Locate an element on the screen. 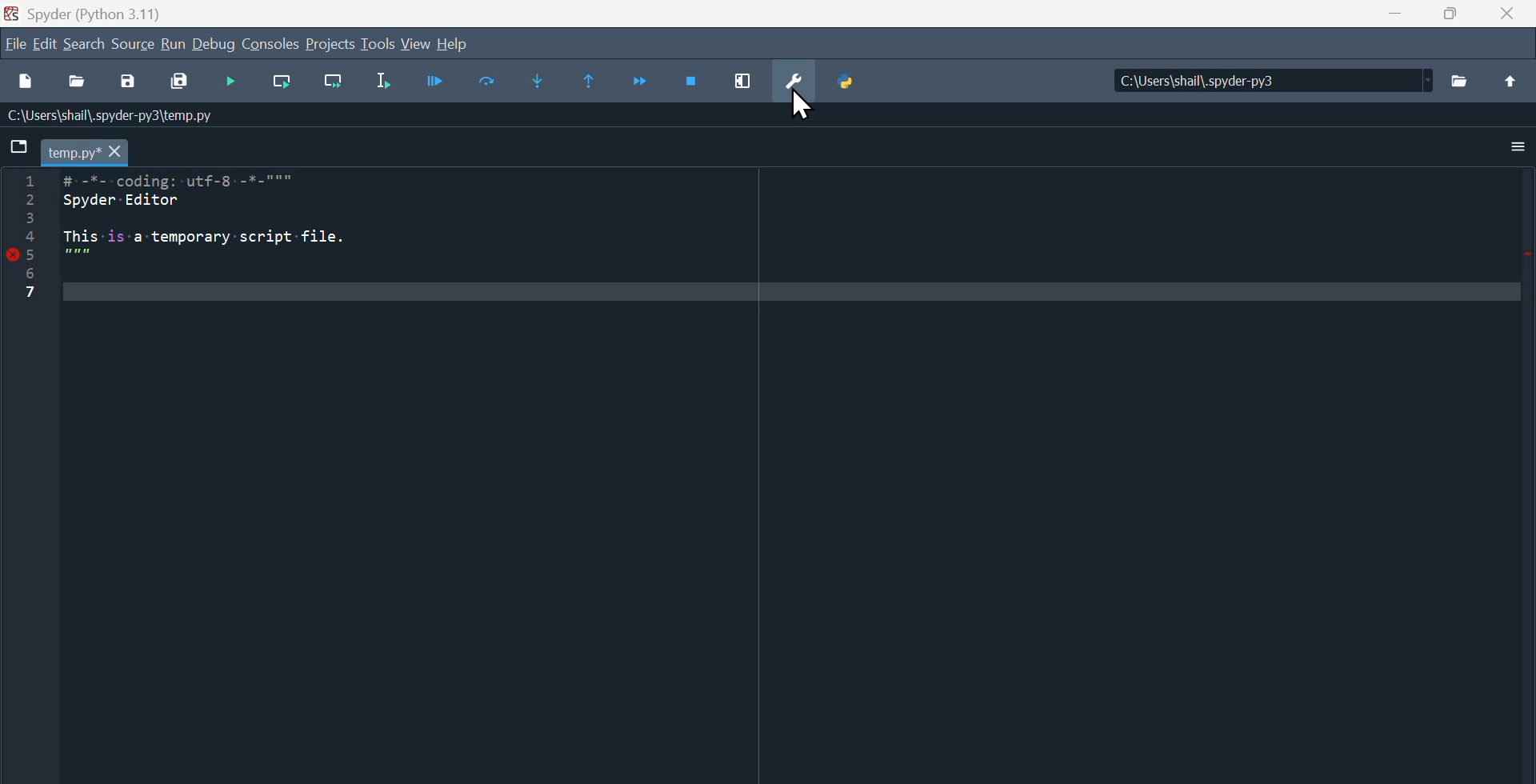  Python path manager is located at coordinates (860, 83).